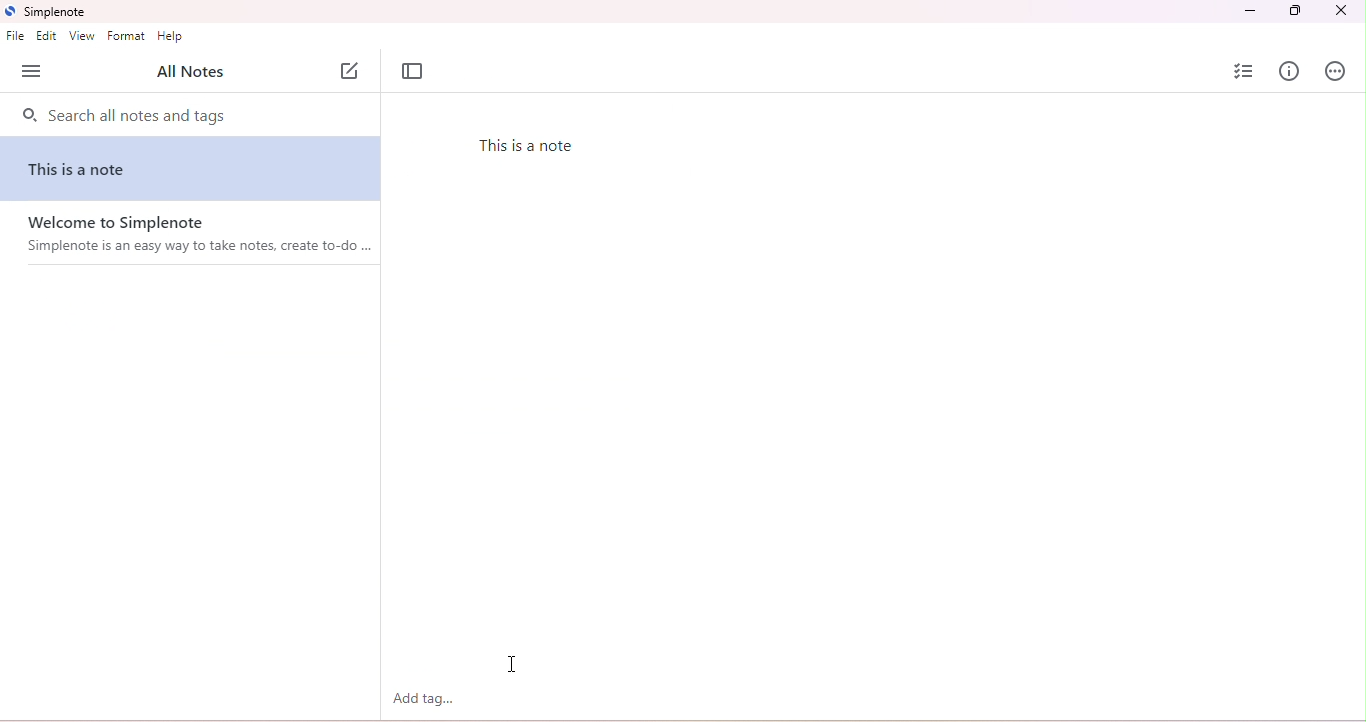  I want to click on close, so click(1340, 11).